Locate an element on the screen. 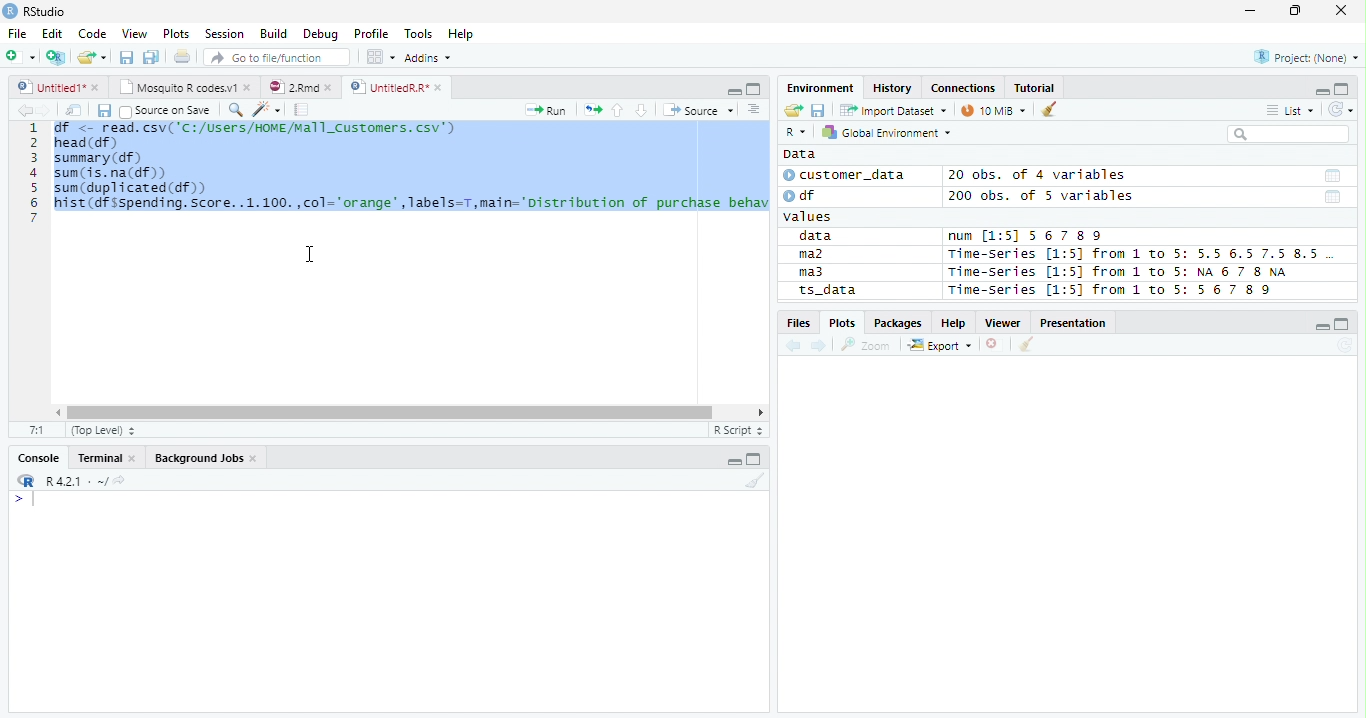 Image resolution: width=1366 pixels, height=718 pixels. Save is located at coordinates (126, 56).